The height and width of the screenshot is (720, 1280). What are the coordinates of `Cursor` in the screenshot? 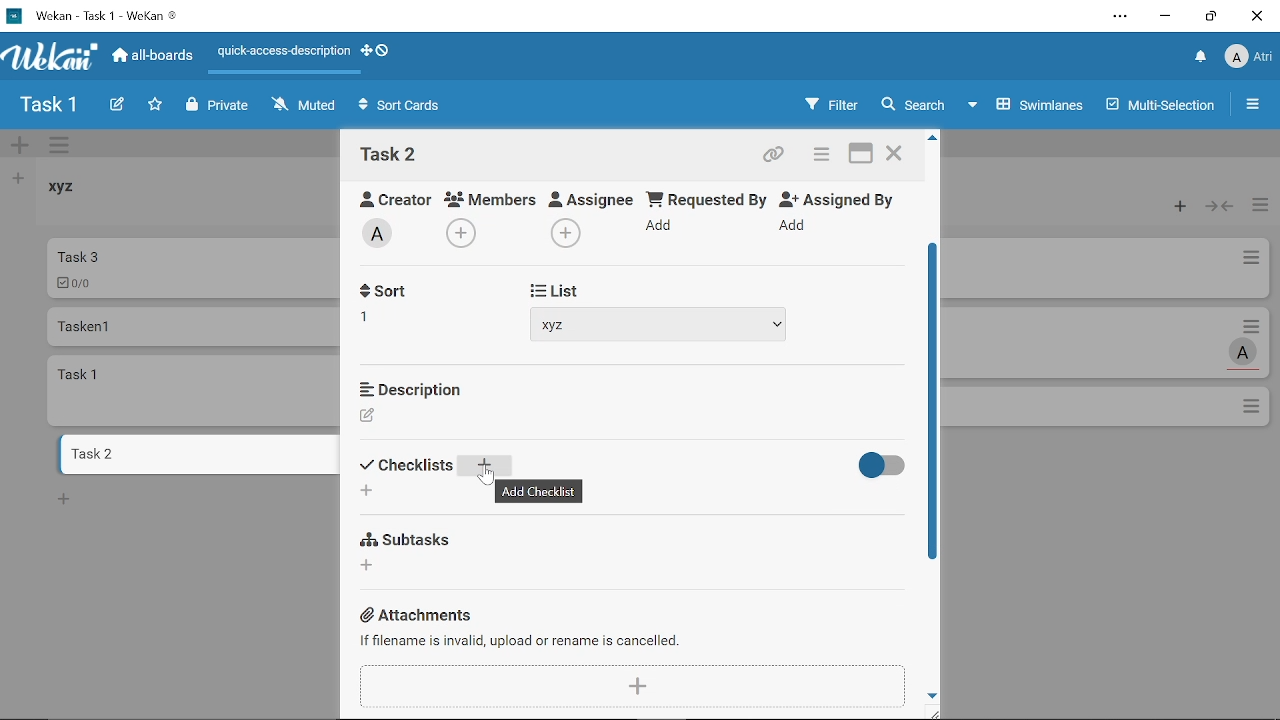 It's located at (488, 478).